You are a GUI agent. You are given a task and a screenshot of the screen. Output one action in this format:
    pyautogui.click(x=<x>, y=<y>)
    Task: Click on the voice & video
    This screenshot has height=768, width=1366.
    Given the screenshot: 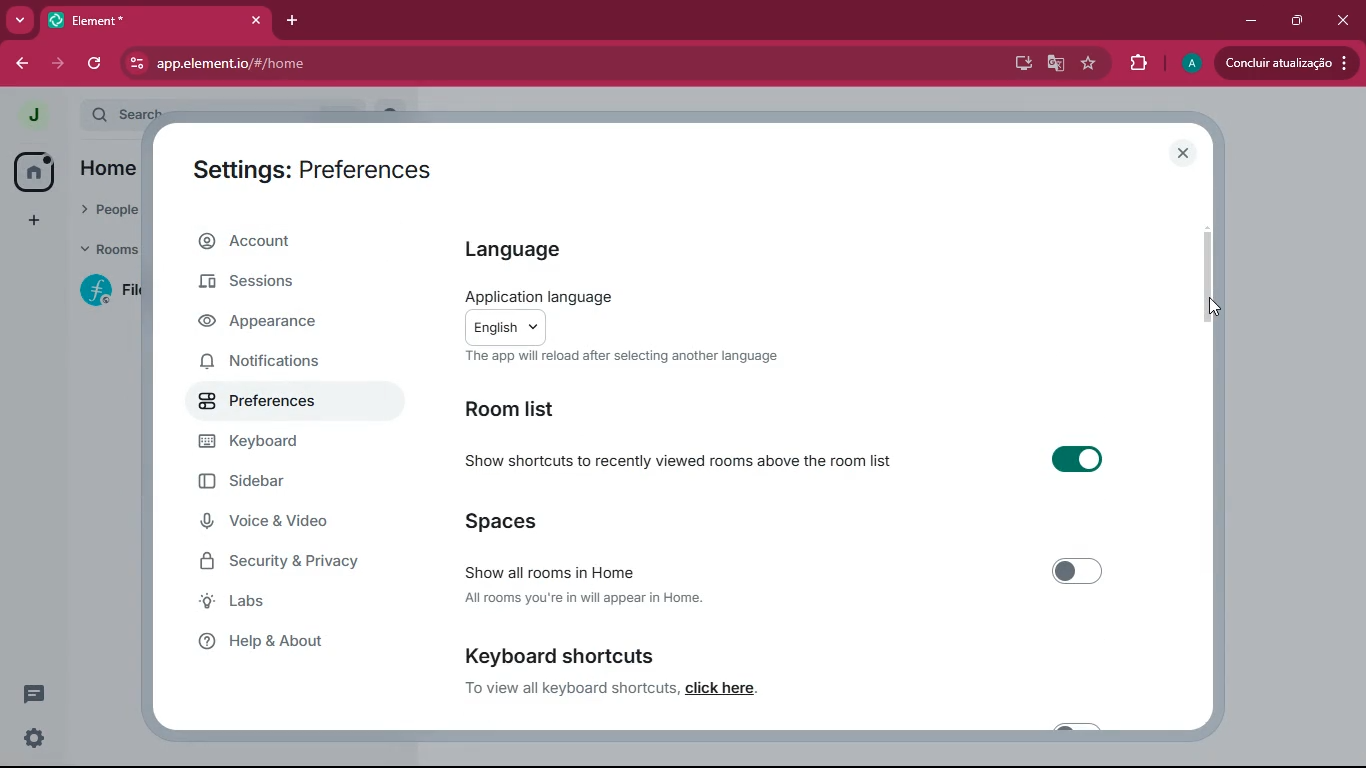 What is the action you would take?
    pyautogui.click(x=277, y=523)
    